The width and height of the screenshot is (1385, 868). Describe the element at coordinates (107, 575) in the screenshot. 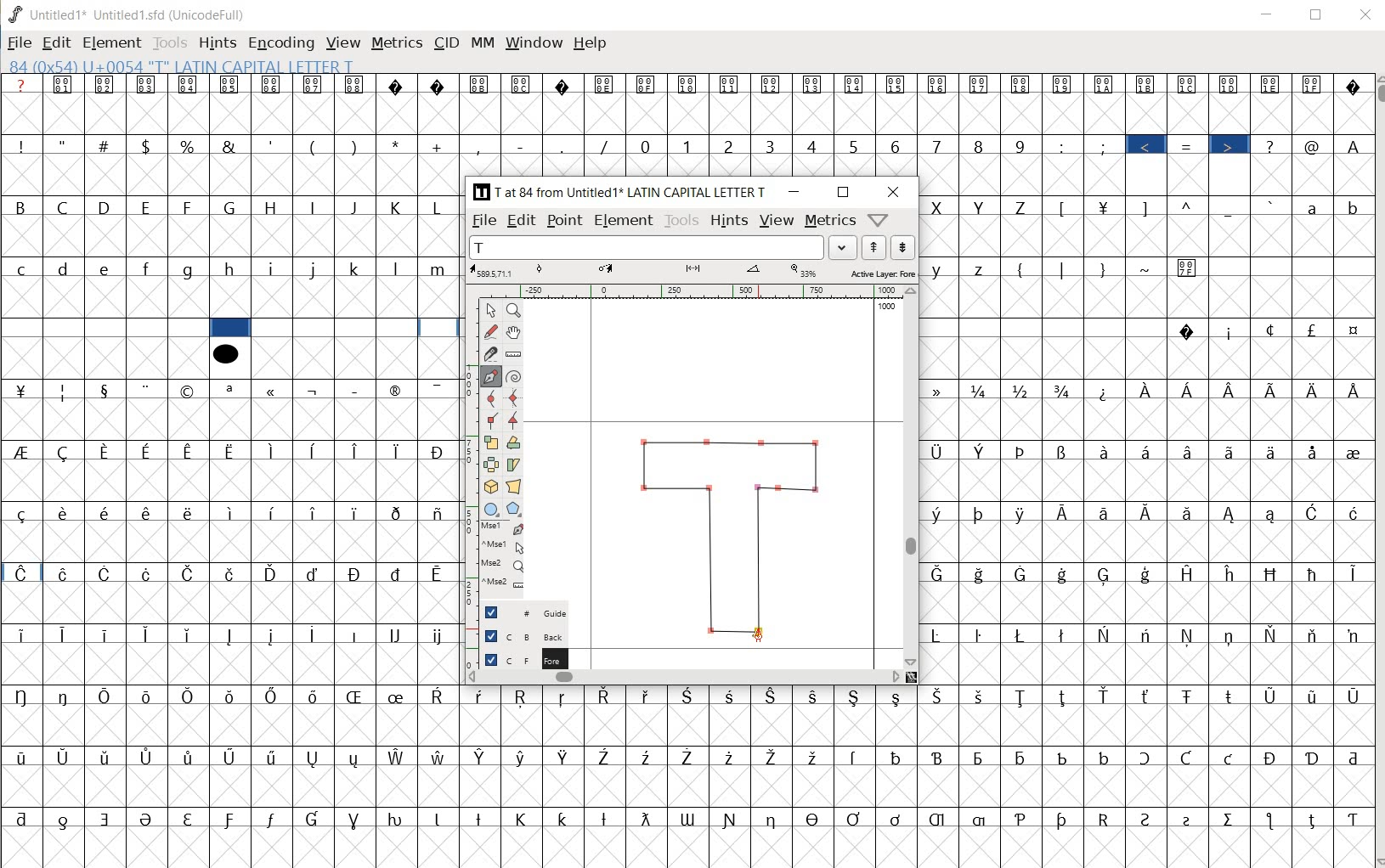

I see `Symbol` at that location.